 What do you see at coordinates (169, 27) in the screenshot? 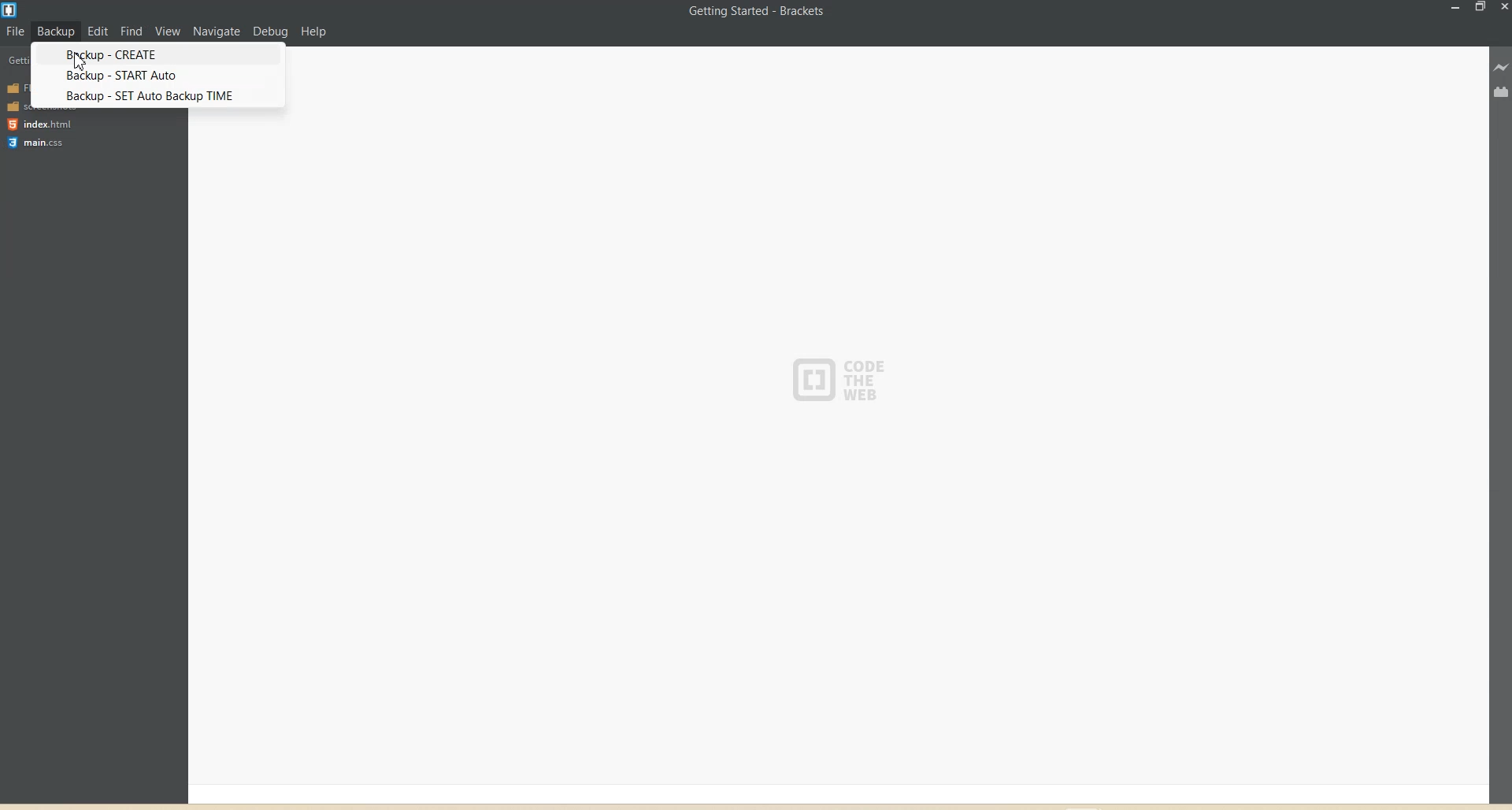
I see `View` at bounding box center [169, 27].